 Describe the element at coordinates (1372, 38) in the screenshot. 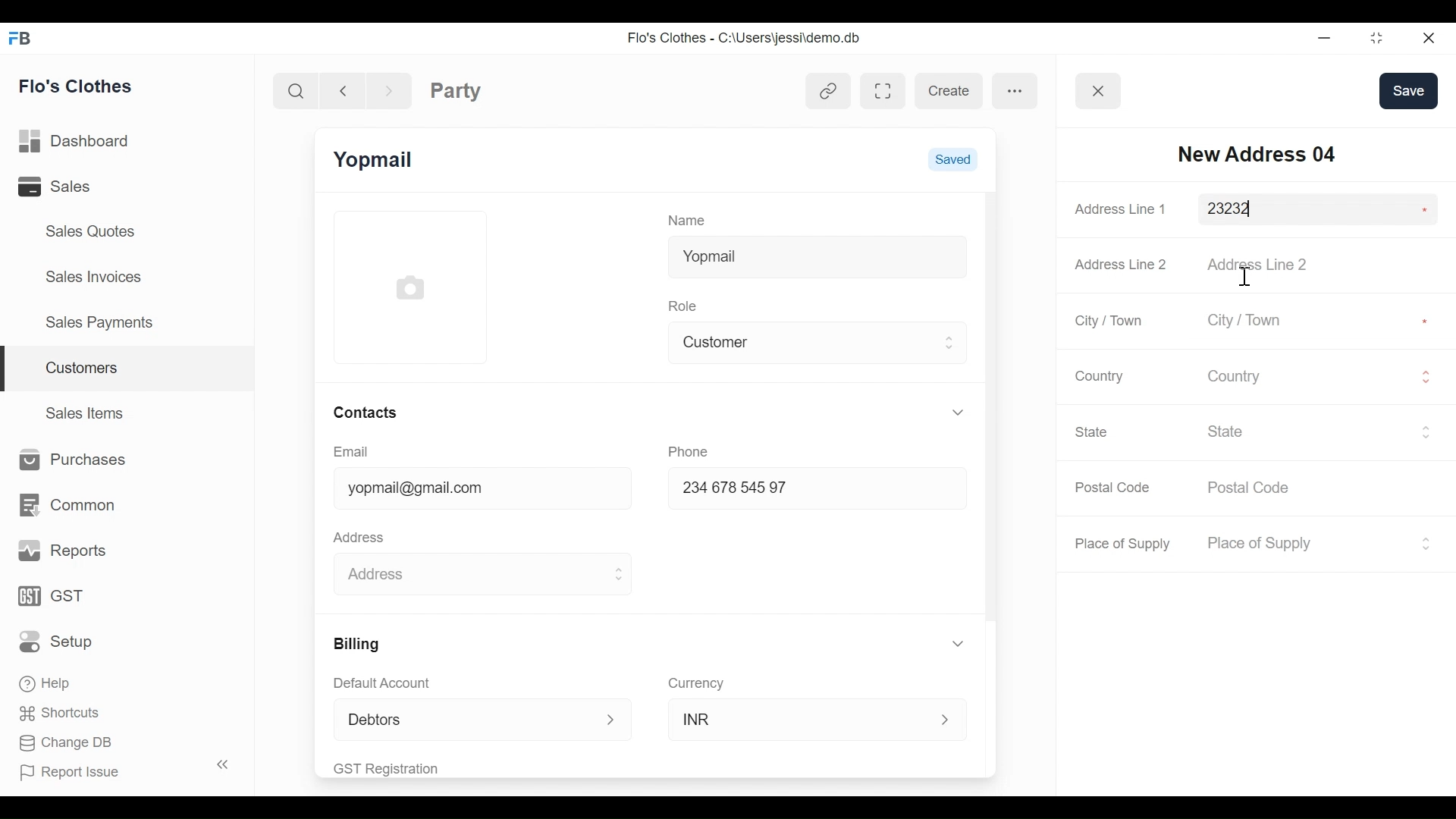

I see `Restore` at that location.